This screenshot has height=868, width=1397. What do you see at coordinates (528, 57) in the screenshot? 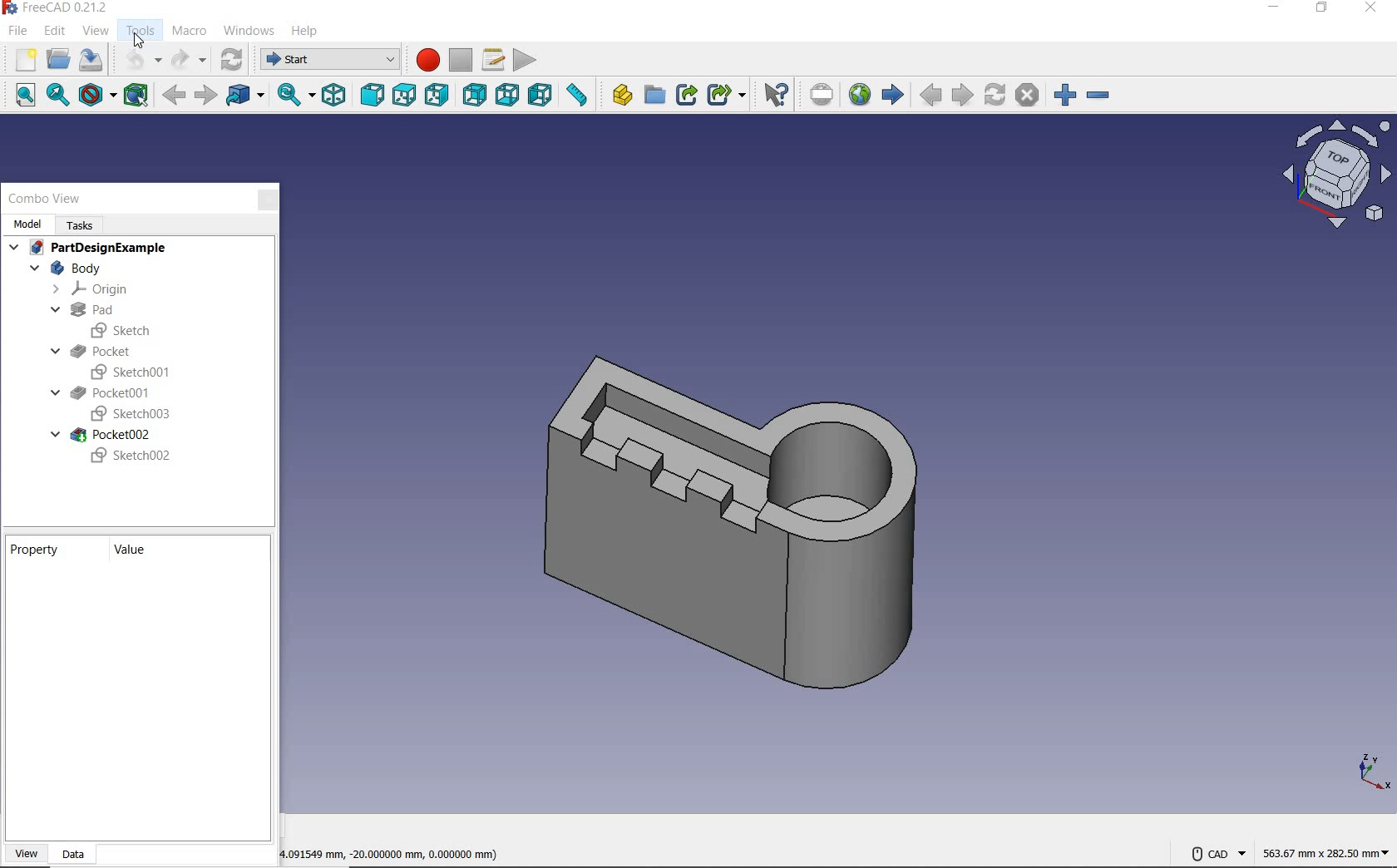
I see `Execute macro` at bounding box center [528, 57].